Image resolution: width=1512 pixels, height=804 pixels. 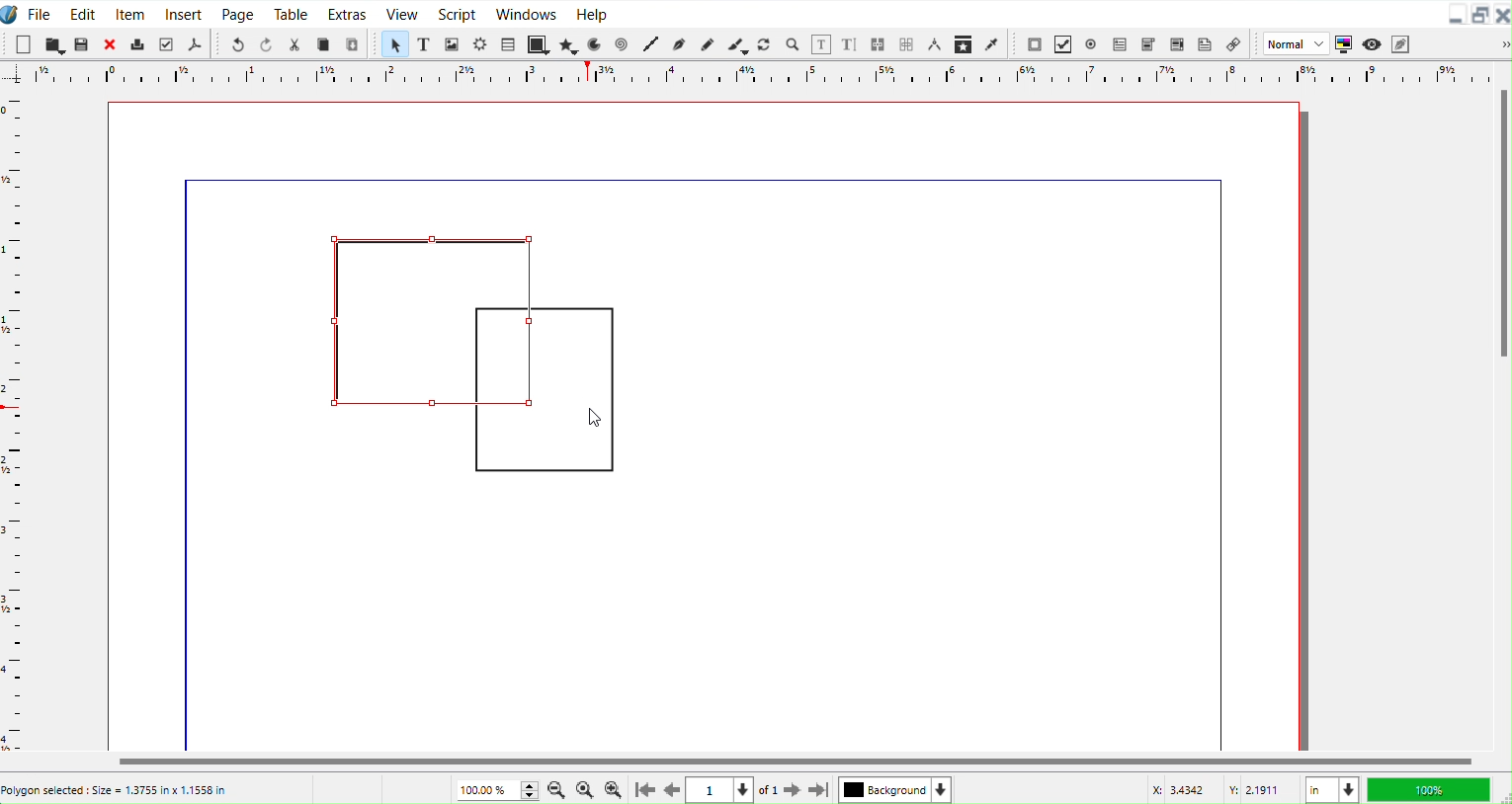 What do you see at coordinates (82, 42) in the screenshot?
I see `Save` at bounding box center [82, 42].